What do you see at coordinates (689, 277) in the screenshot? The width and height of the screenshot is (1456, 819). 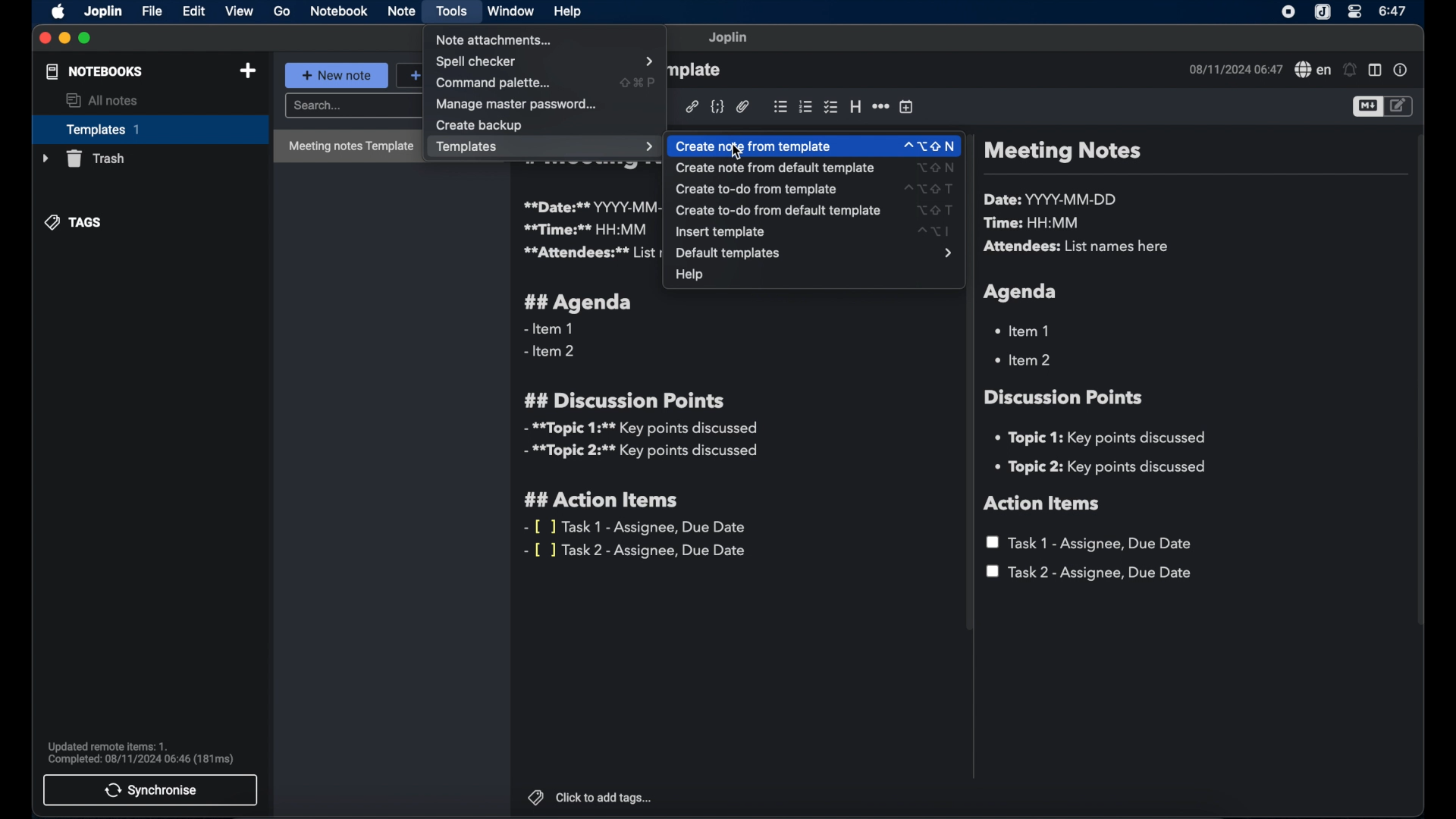 I see `help` at bounding box center [689, 277].